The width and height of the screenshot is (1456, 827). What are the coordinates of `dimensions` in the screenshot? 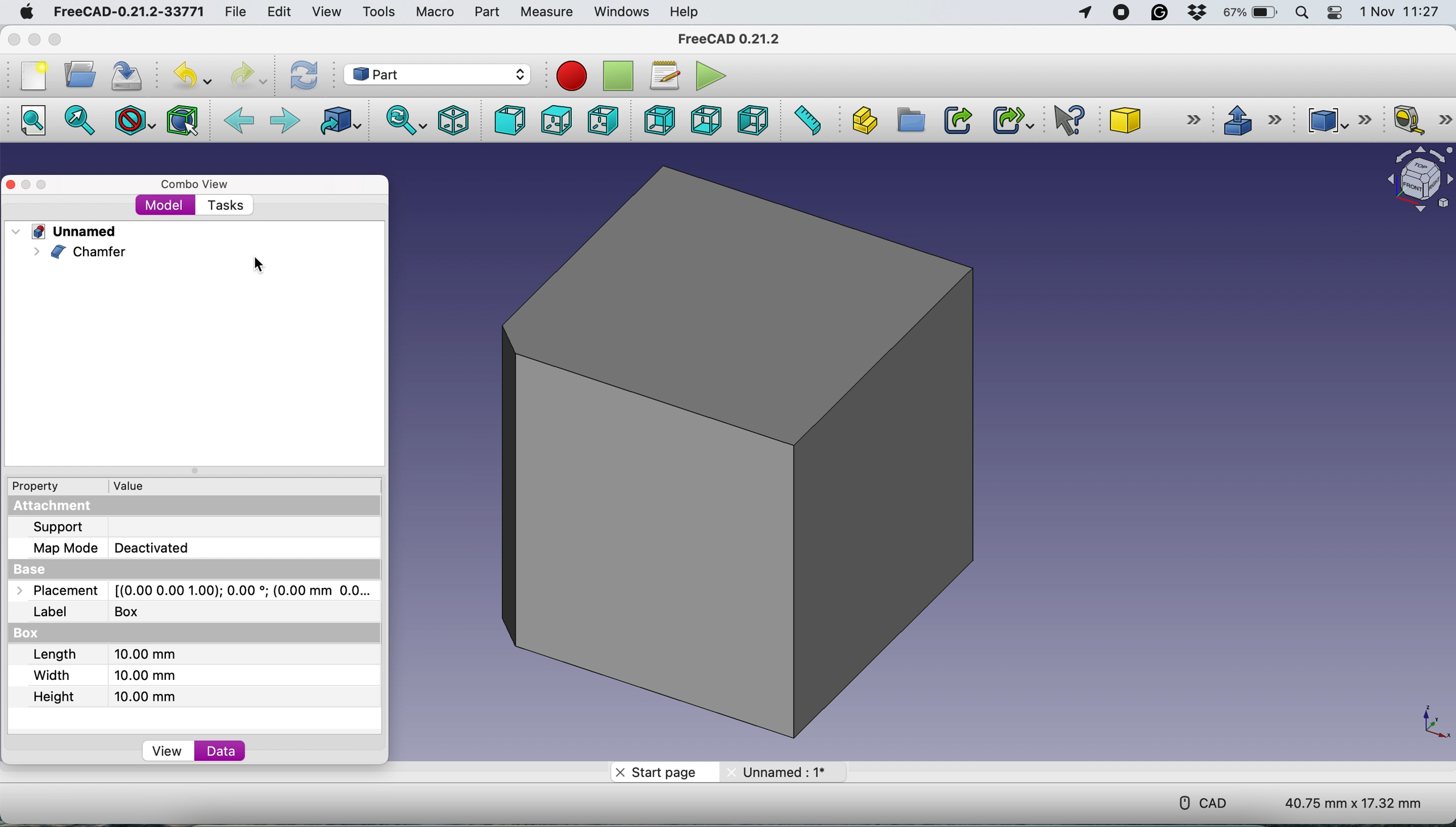 It's located at (1351, 805).